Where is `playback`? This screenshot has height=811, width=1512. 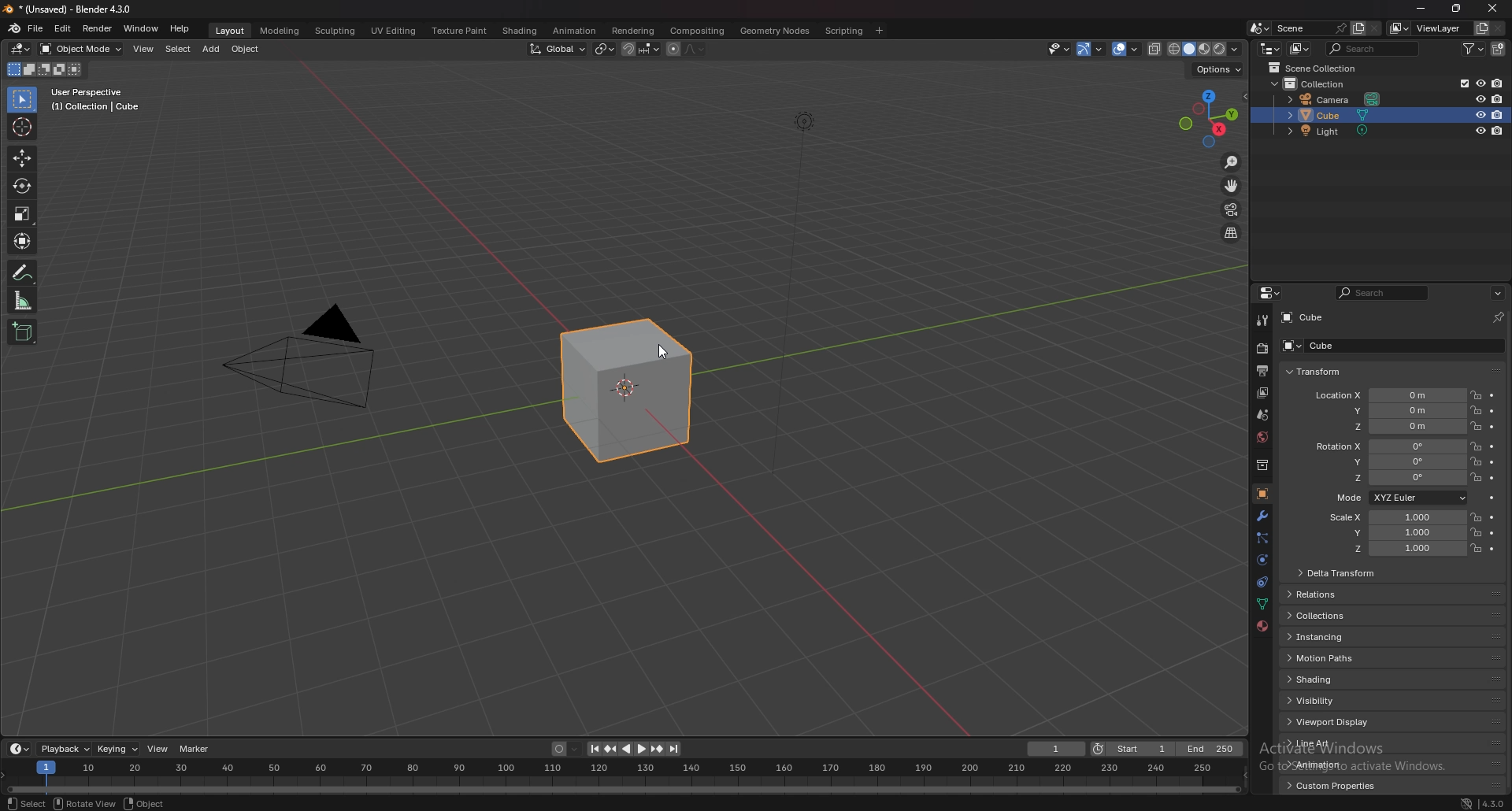
playback is located at coordinates (66, 749).